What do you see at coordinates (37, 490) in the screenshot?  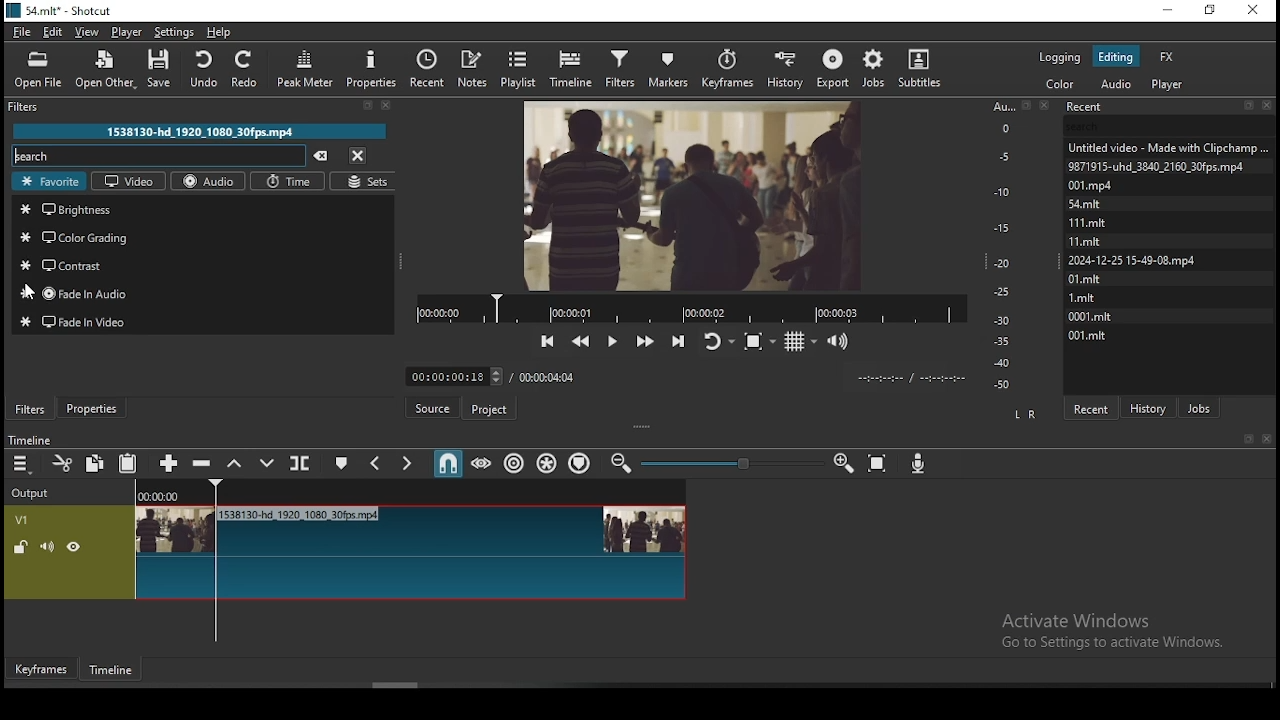 I see `output` at bounding box center [37, 490].